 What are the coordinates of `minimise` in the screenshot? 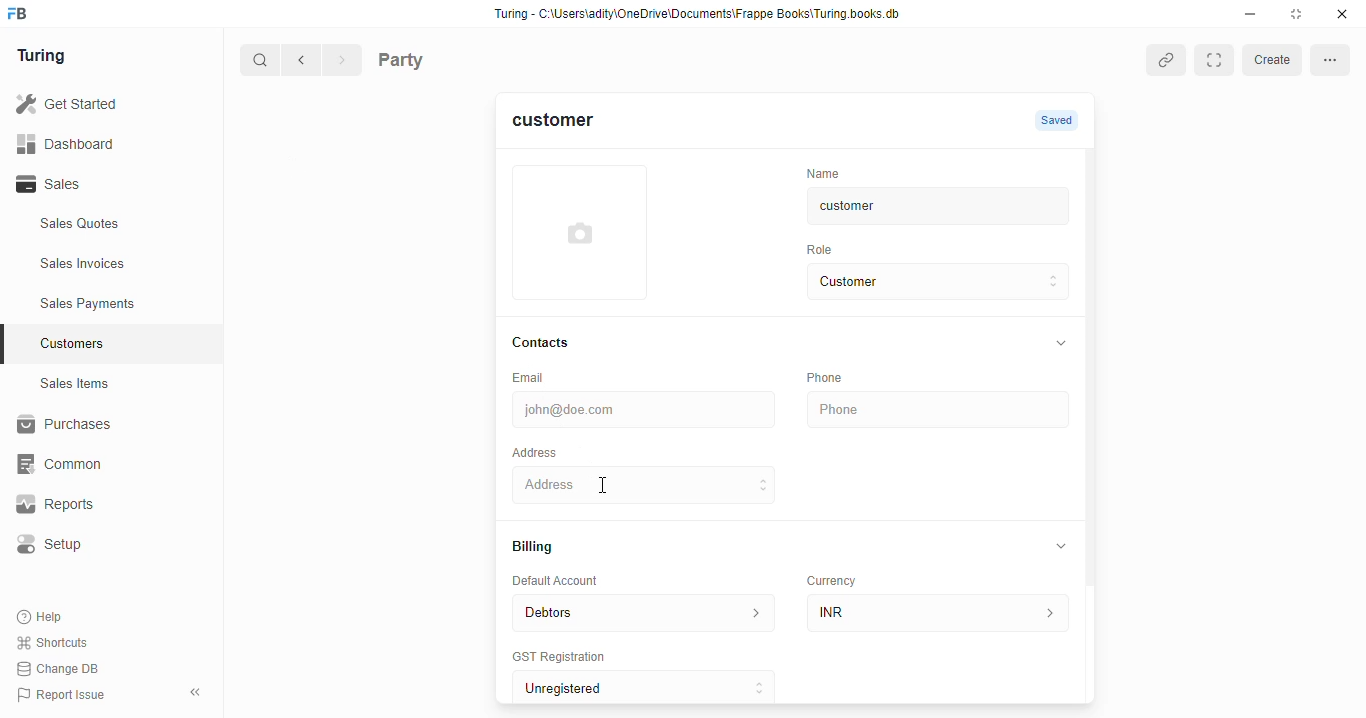 It's located at (1251, 14).